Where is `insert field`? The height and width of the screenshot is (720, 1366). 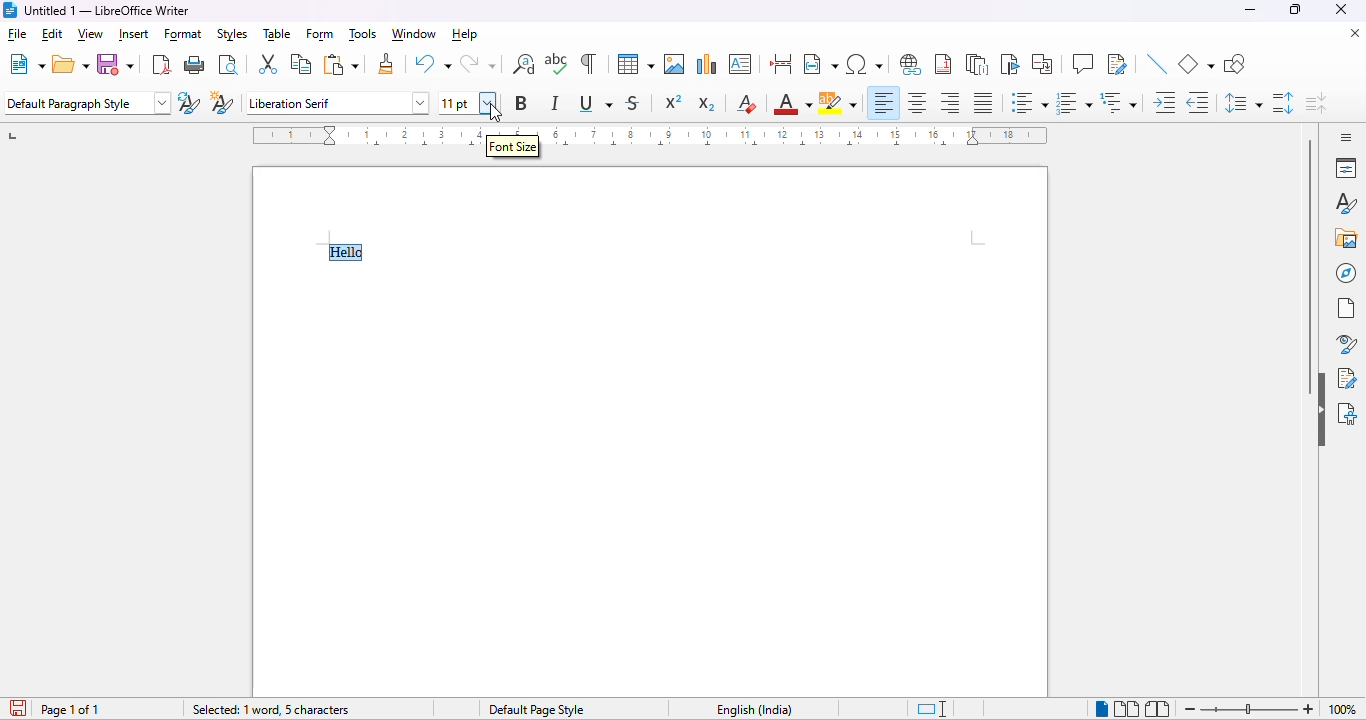 insert field is located at coordinates (820, 64).